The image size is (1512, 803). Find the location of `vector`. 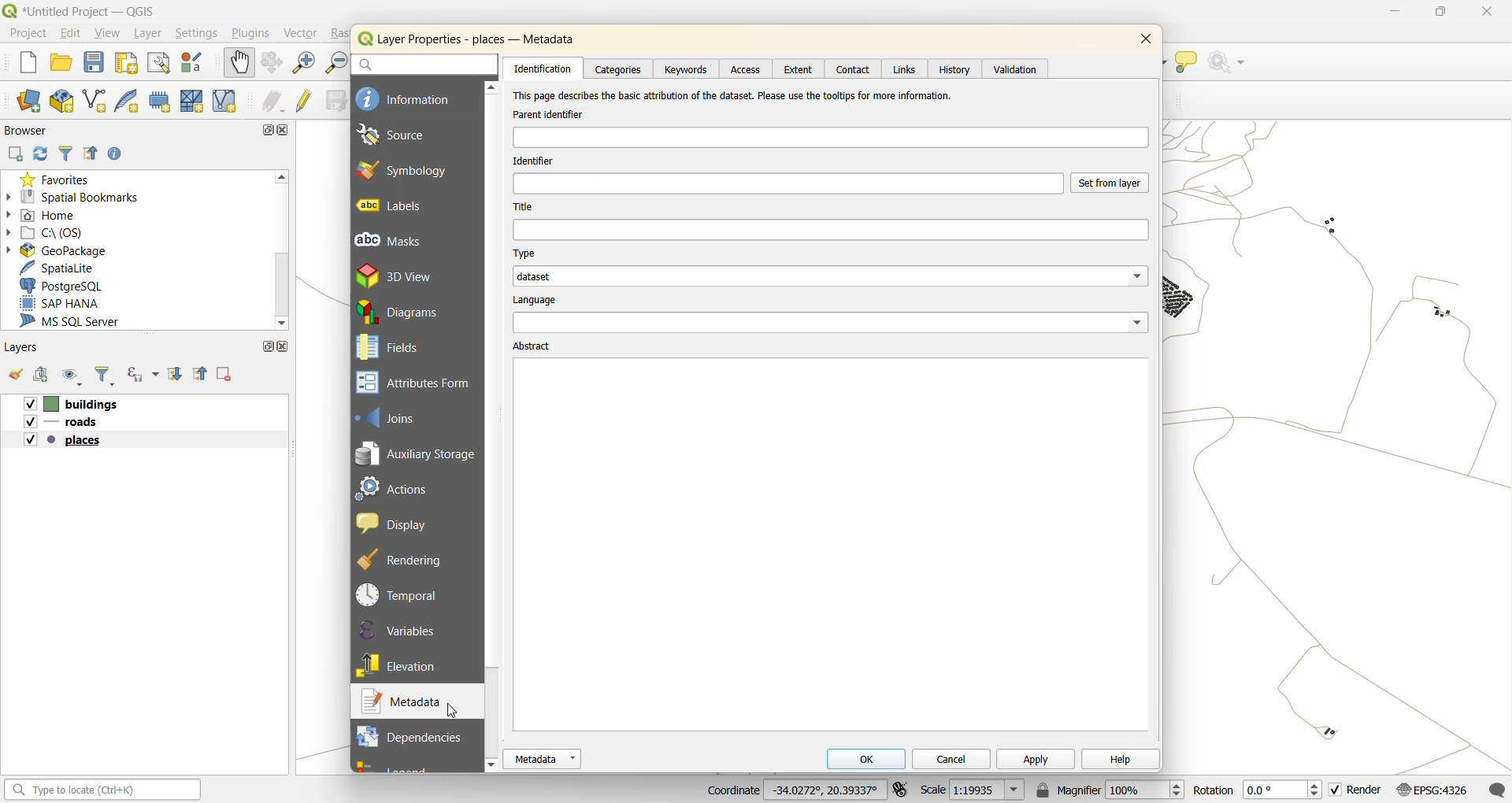

vector is located at coordinates (305, 33).